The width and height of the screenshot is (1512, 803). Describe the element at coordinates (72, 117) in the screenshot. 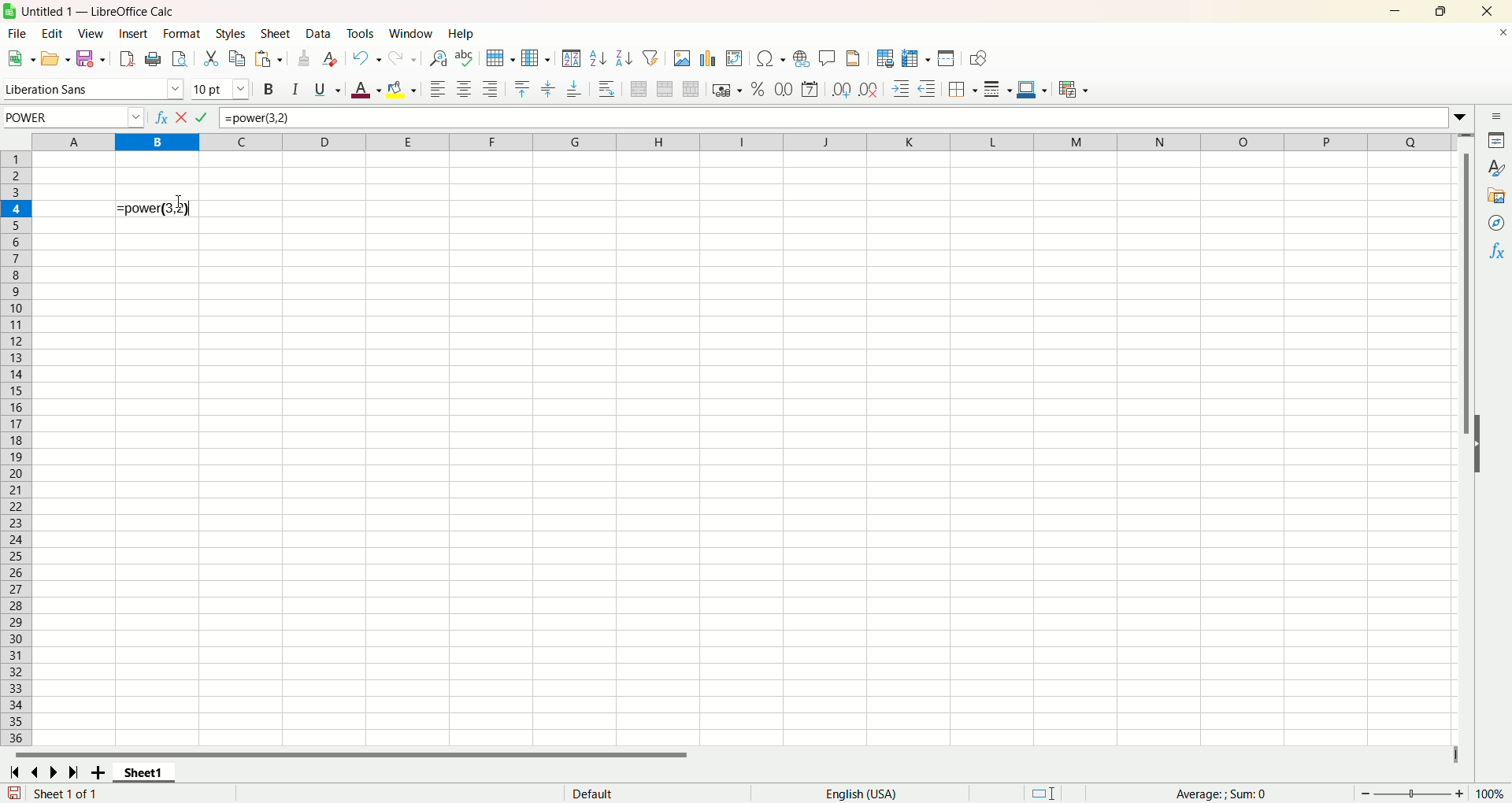

I see `POWER` at that location.